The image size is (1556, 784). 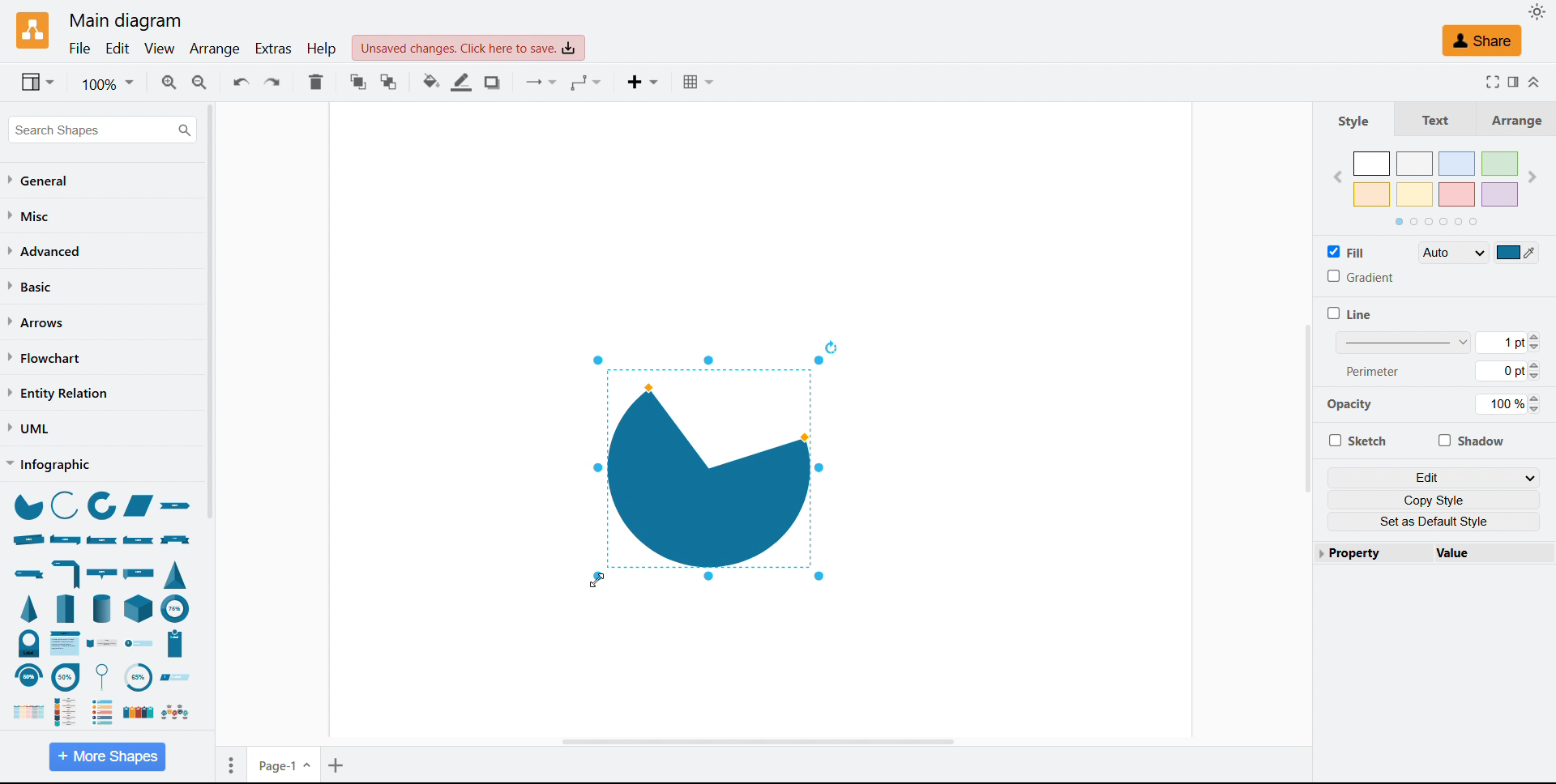 I want to click on Shadow , so click(x=495, y=83).